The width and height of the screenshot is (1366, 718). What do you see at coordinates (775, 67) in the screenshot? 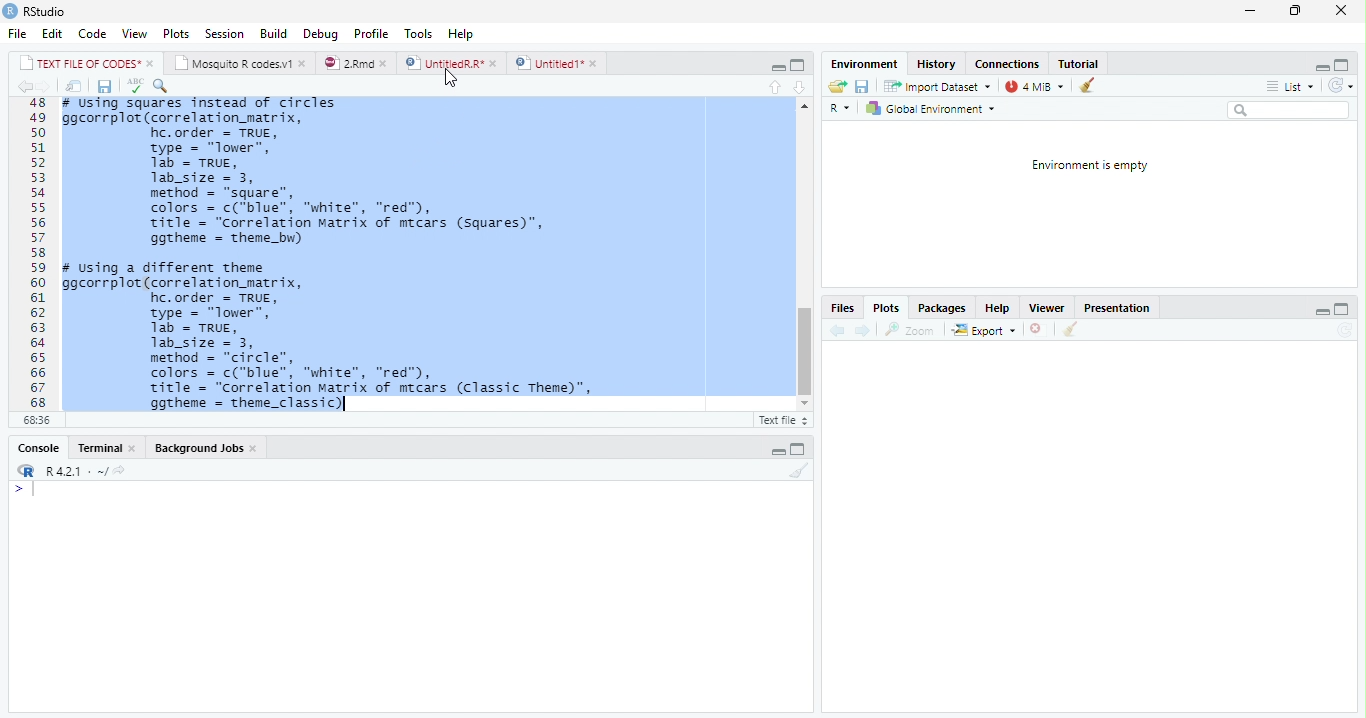
I see `hide r script` at bounding box center [775, 67].